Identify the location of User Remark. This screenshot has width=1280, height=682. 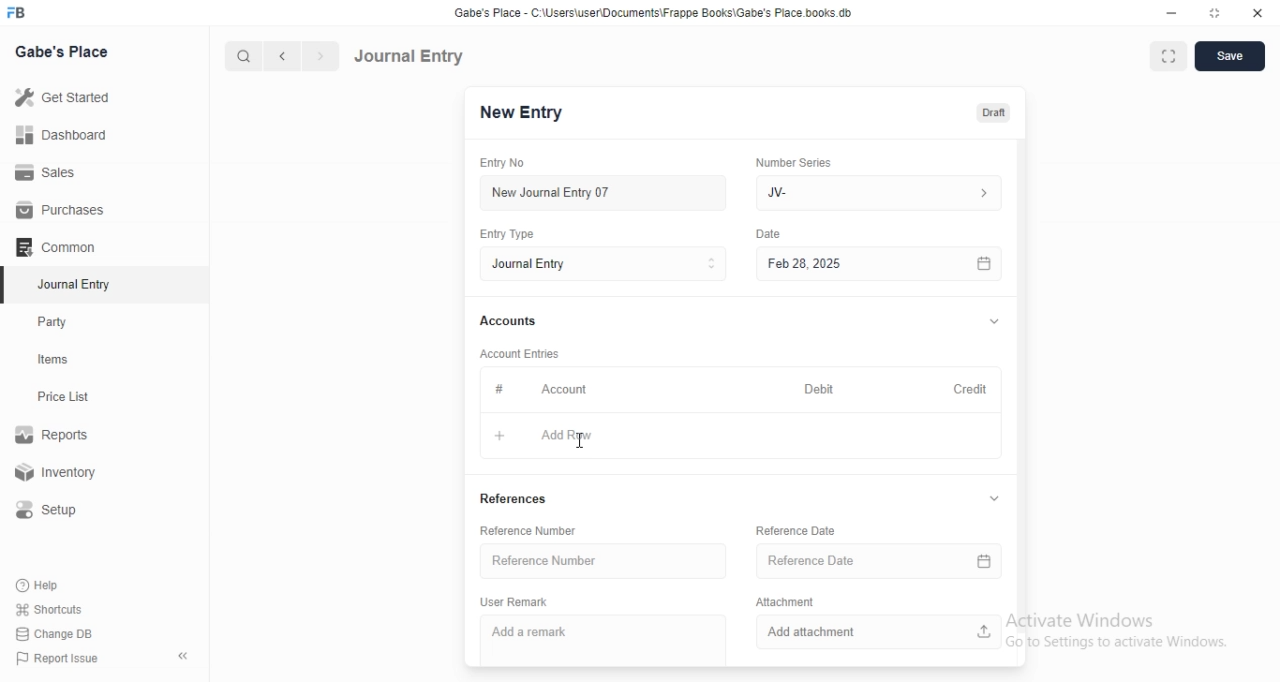
(515, 603).